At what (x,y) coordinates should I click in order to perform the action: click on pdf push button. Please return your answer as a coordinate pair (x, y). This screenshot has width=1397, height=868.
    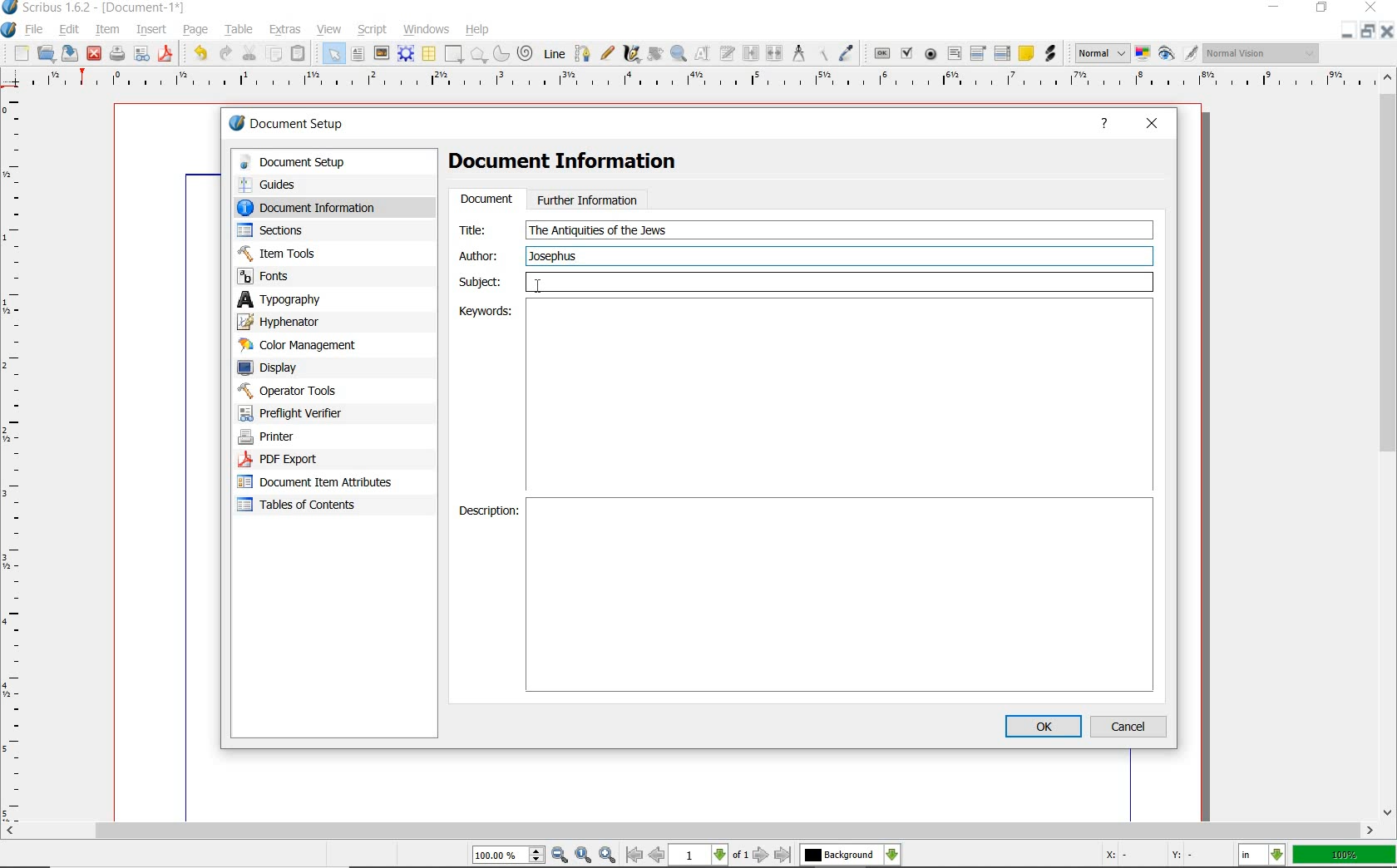
    Looking at the image, I should click on (881, 53).